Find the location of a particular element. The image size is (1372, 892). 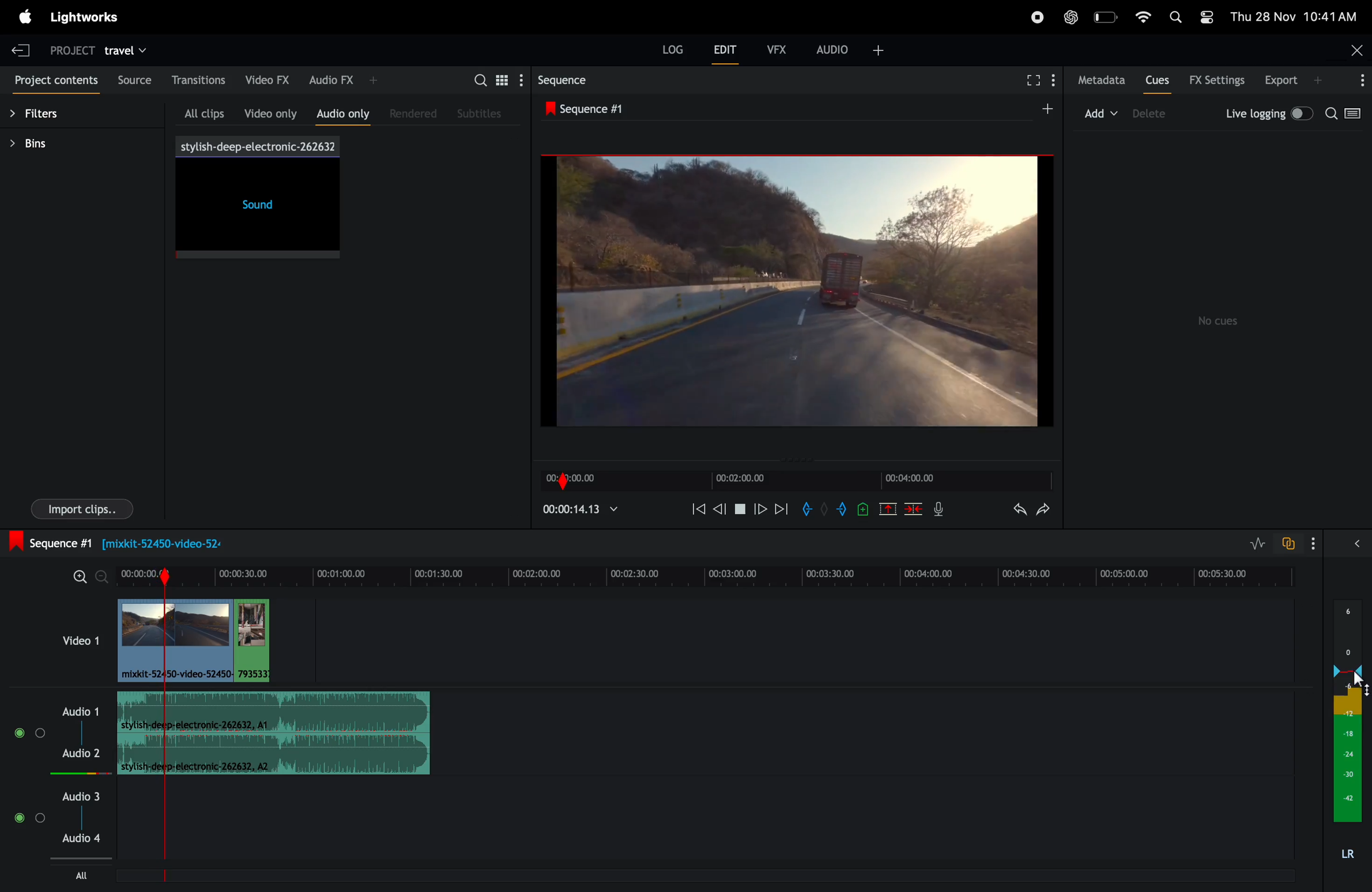

video time is located at coordinates (756, 478).